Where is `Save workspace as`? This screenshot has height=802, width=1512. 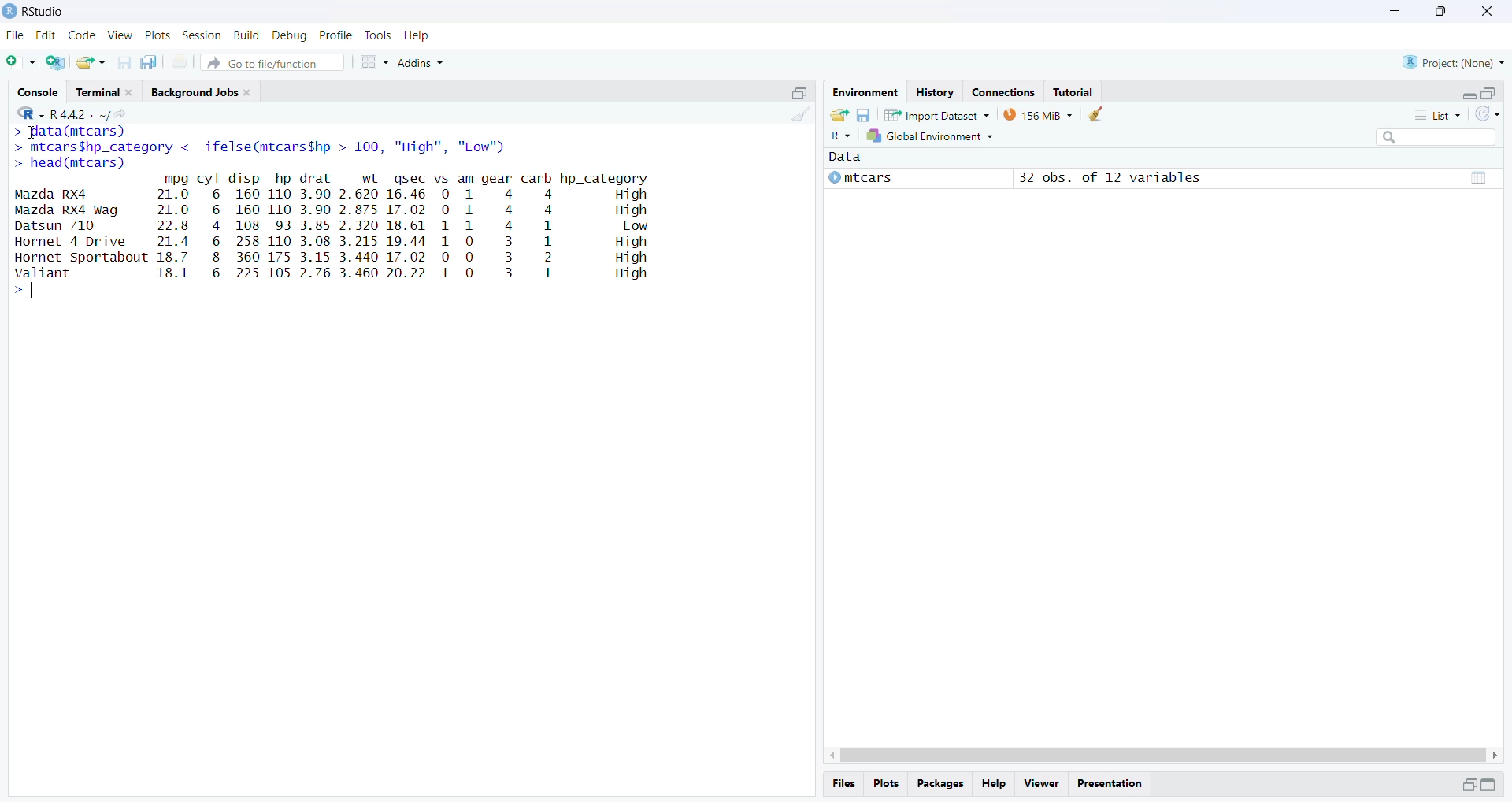
Save workspace as is located at coordinates (864, 113).